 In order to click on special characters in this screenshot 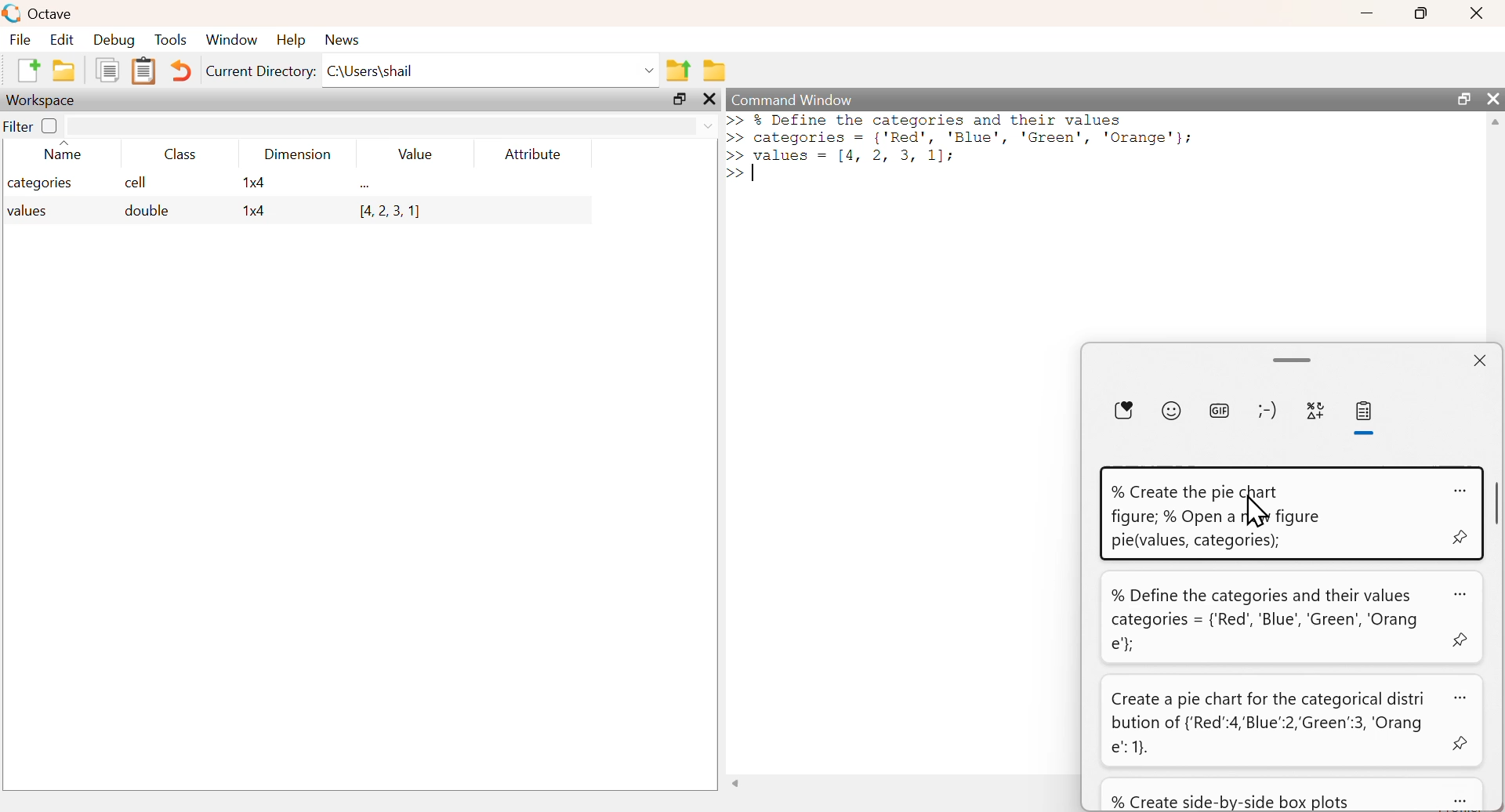, I will do `click(1315, 410)`.